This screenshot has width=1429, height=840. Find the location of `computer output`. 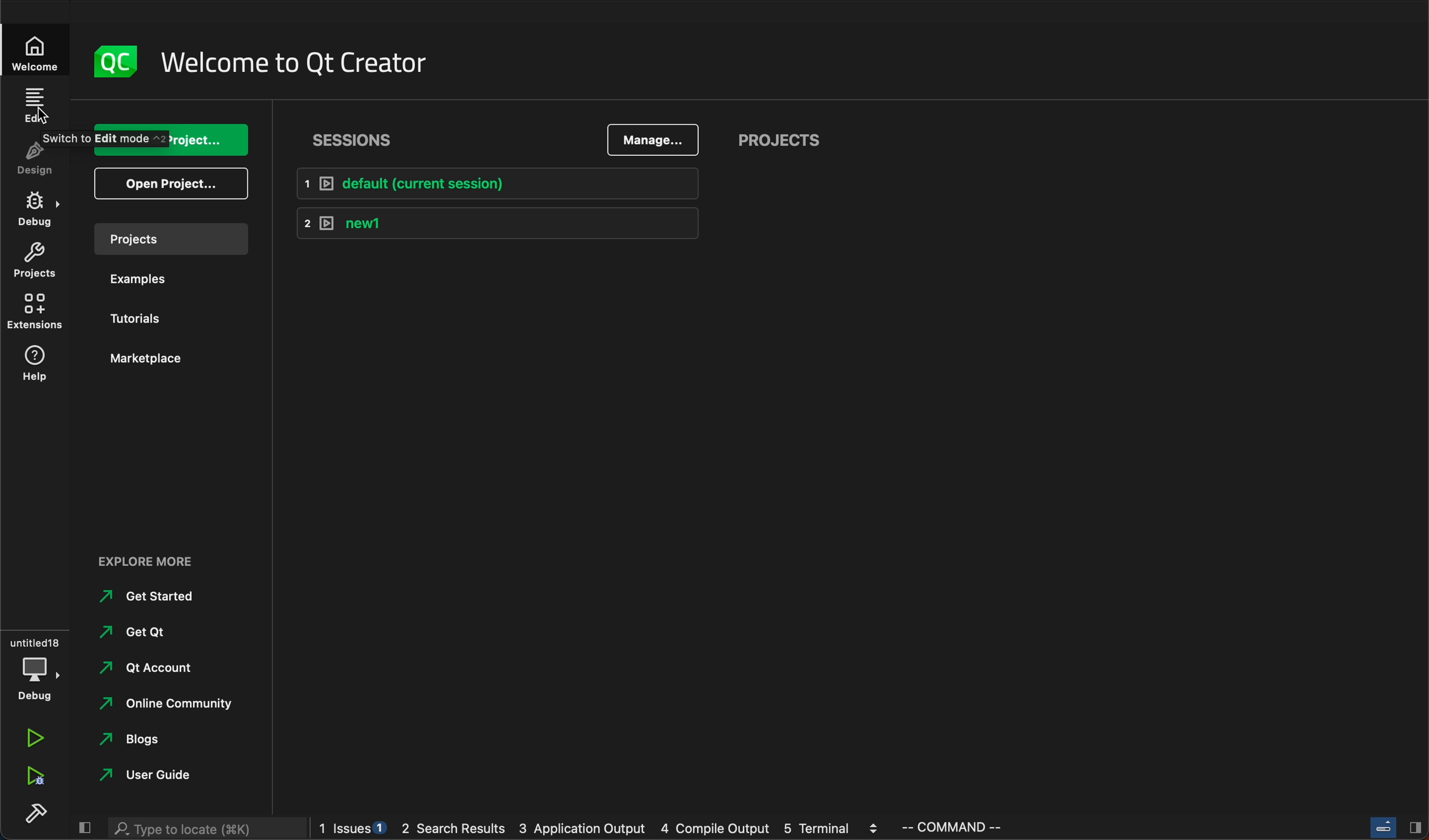

computer output is located at coordinates (715, 830).